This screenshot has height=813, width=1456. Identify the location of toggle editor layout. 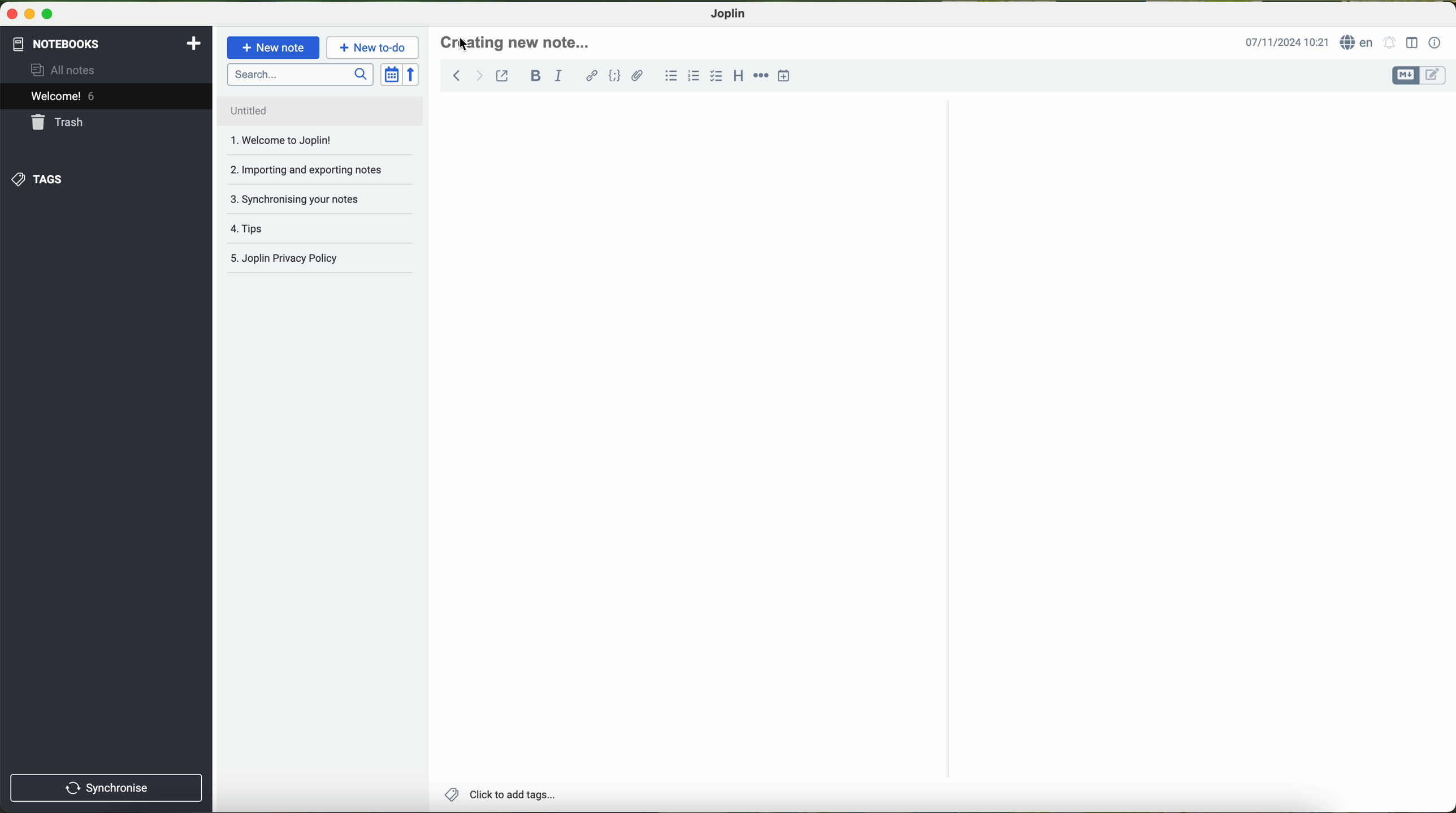
(1412, 43).